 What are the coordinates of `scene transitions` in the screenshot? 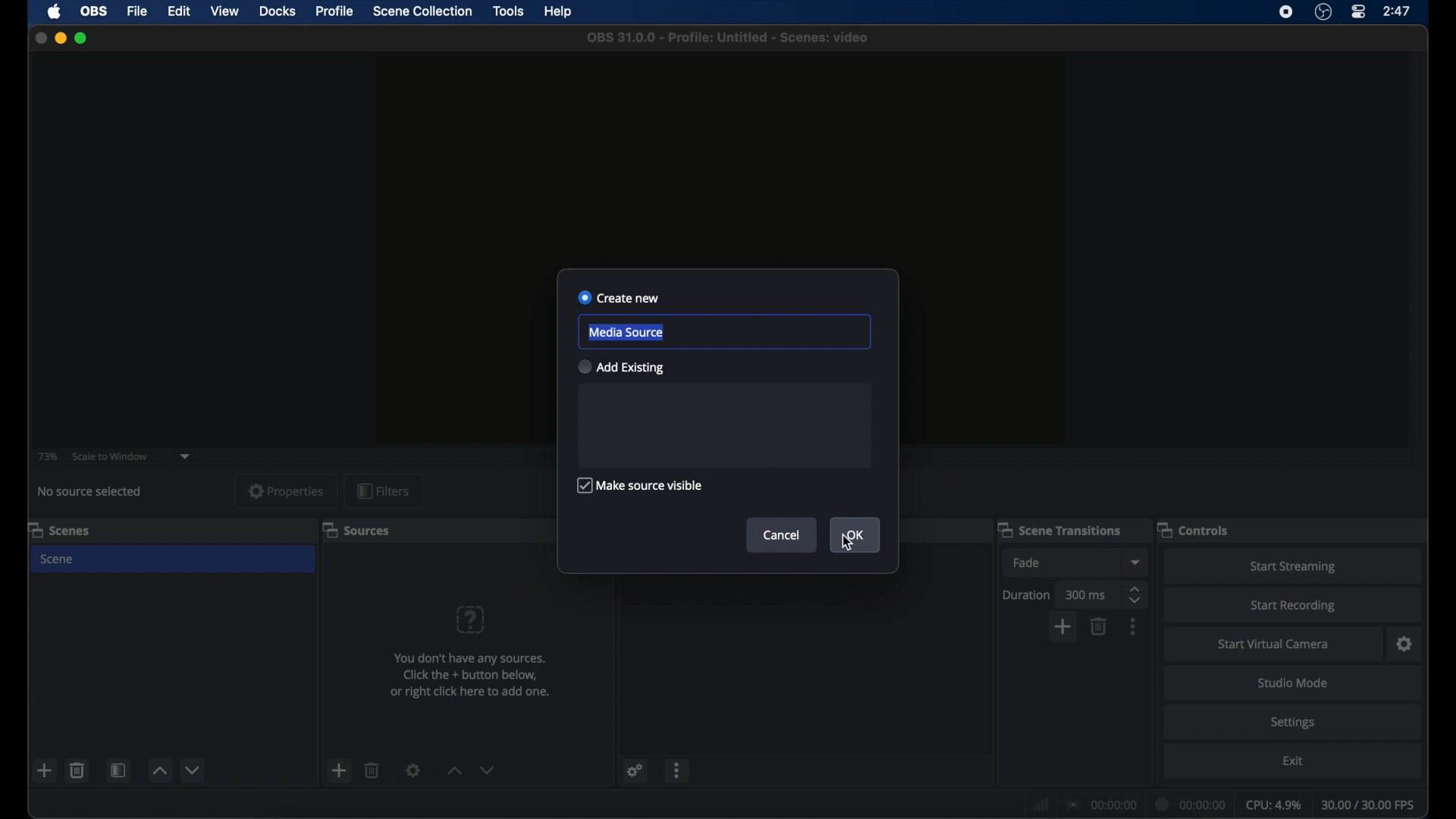 It's located at (1059, 529).